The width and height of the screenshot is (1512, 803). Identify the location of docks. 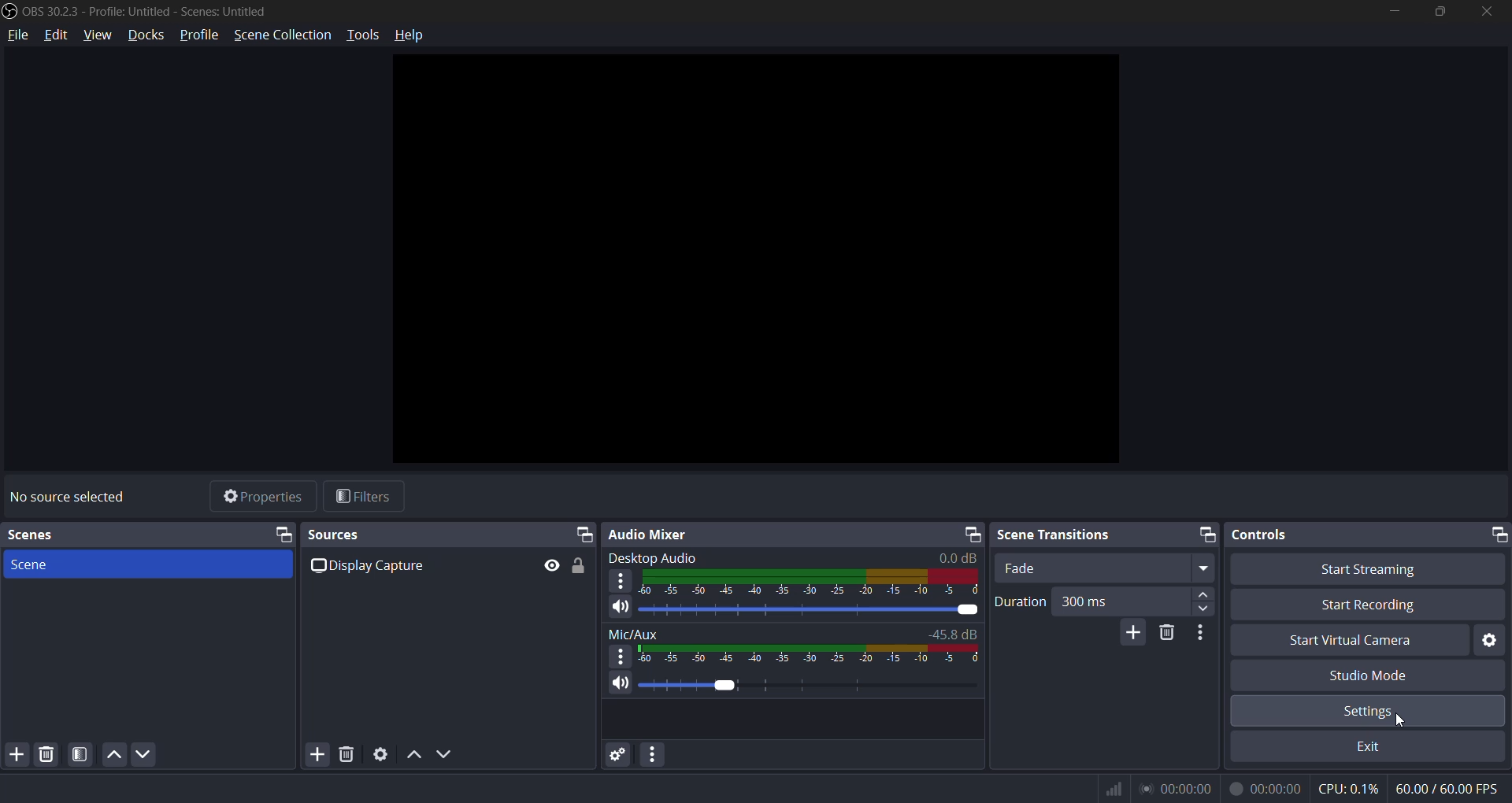
(150, 35).